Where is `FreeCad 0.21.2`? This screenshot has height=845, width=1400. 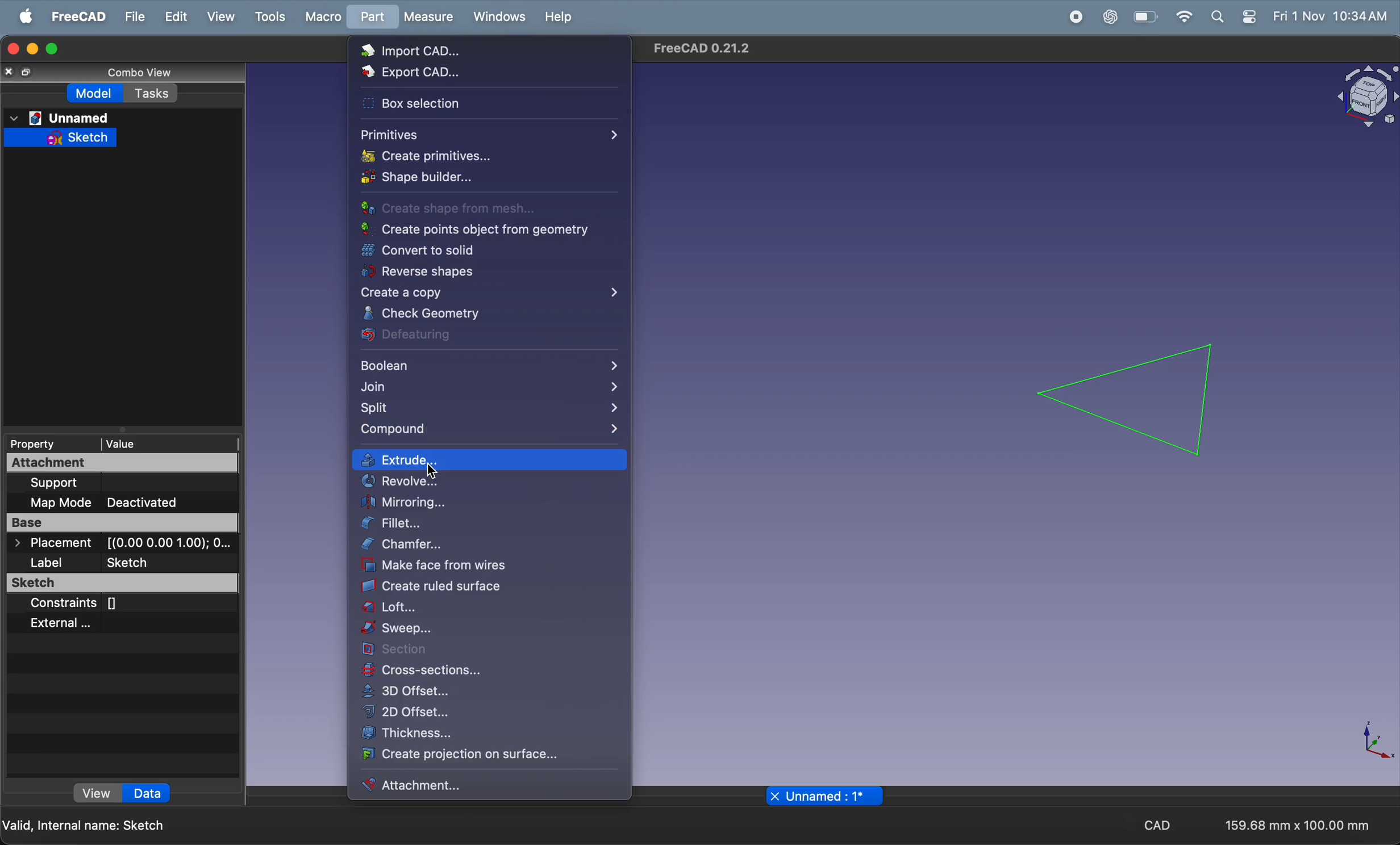
FreeCad 0.21.2 is located at coordinates (704, 49).